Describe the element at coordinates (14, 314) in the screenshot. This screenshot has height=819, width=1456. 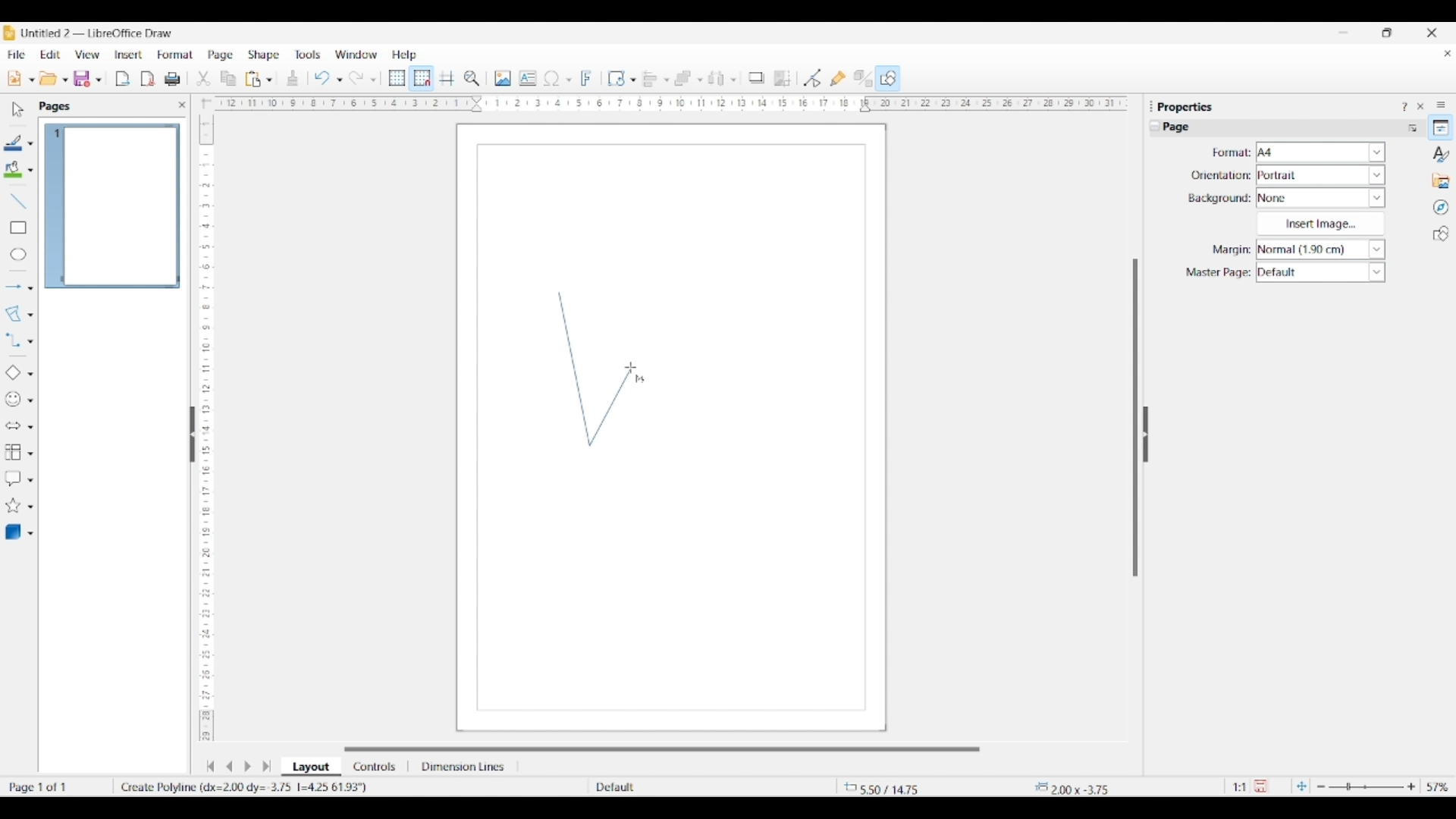
I see `Selected polygon` at that location.